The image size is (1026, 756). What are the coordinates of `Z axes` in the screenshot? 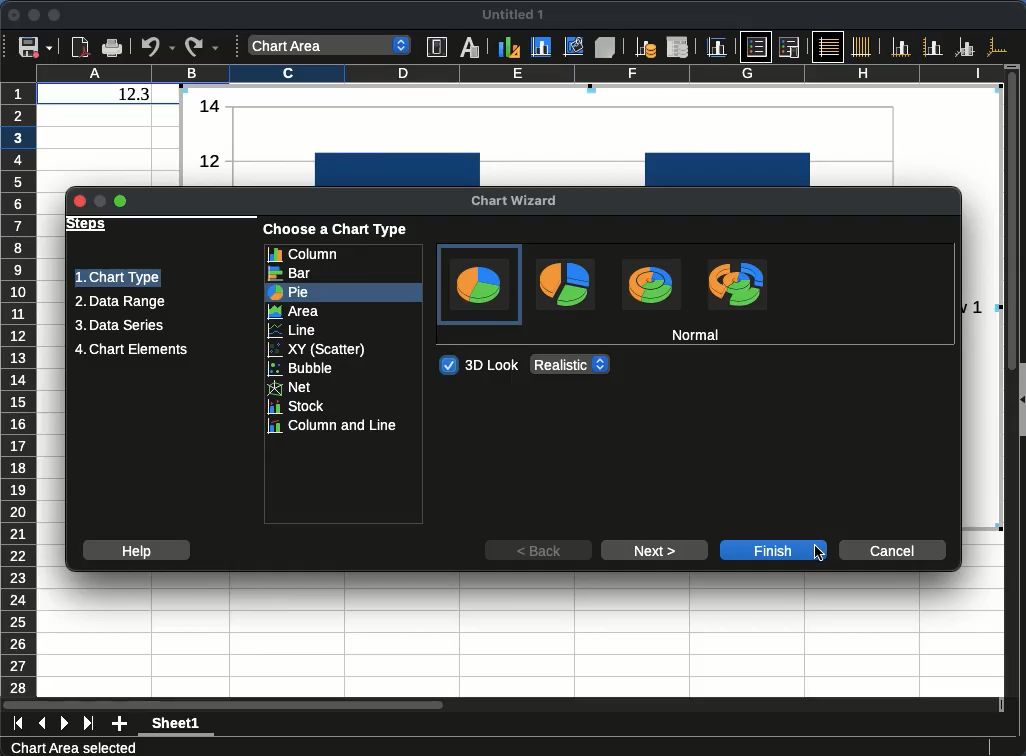 It's located at (965, 47).